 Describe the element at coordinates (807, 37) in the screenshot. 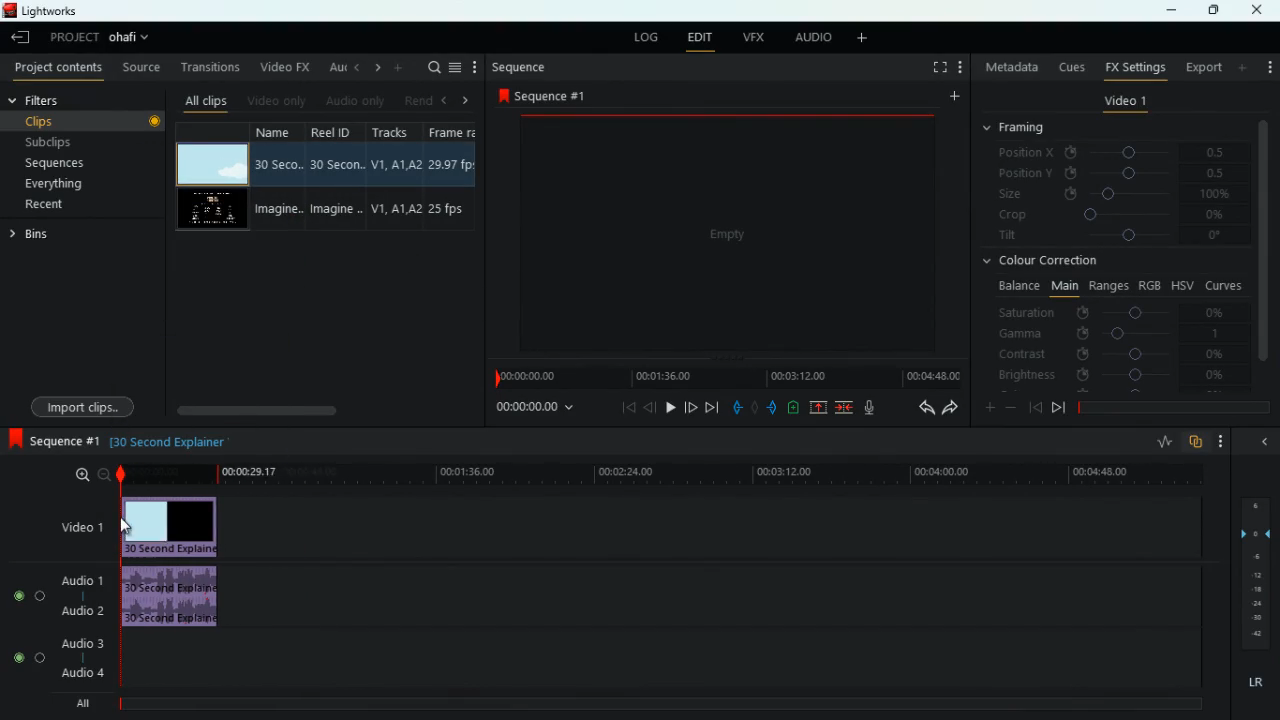

I see `audio` at that location.